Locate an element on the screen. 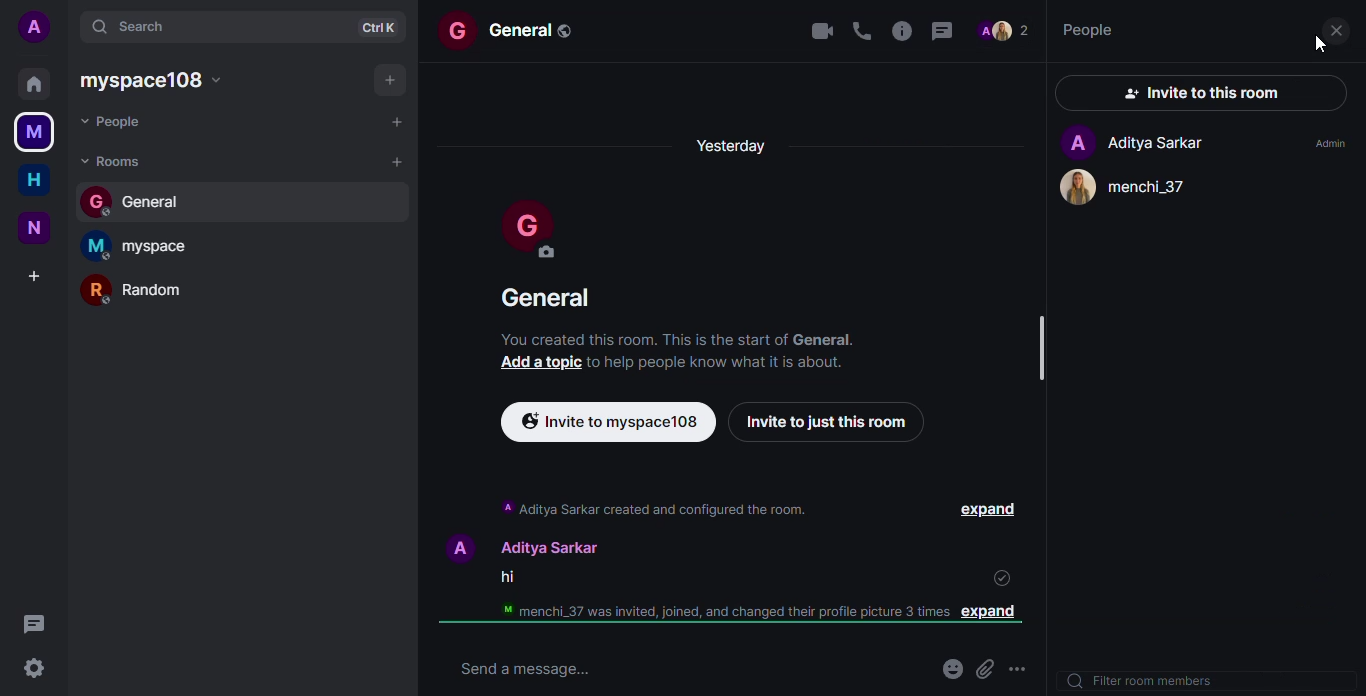  invite to this room is located at coordinates (1203, 92).